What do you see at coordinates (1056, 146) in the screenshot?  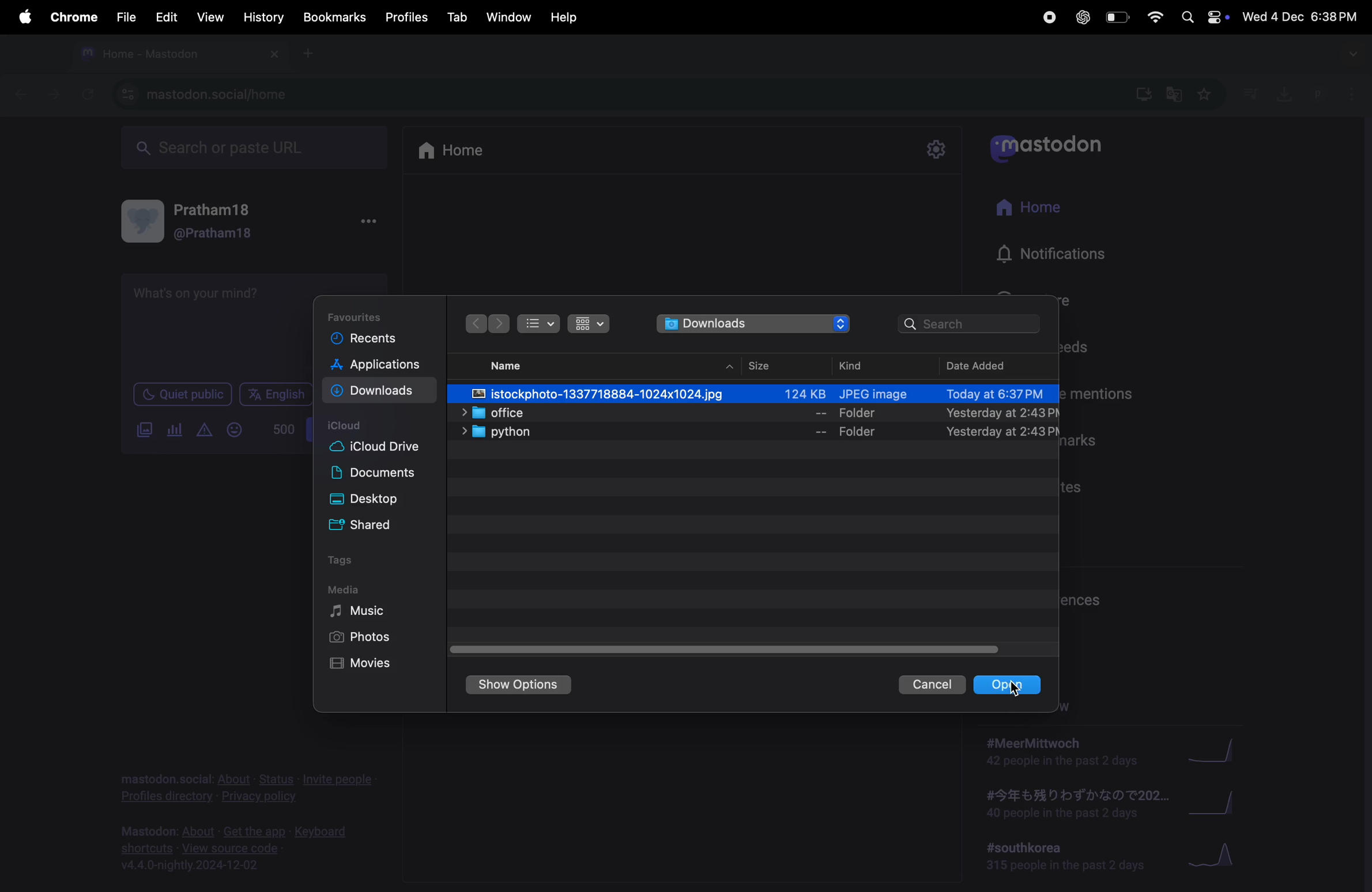 I see `mastodon ` at bounding box center [1056, 146].